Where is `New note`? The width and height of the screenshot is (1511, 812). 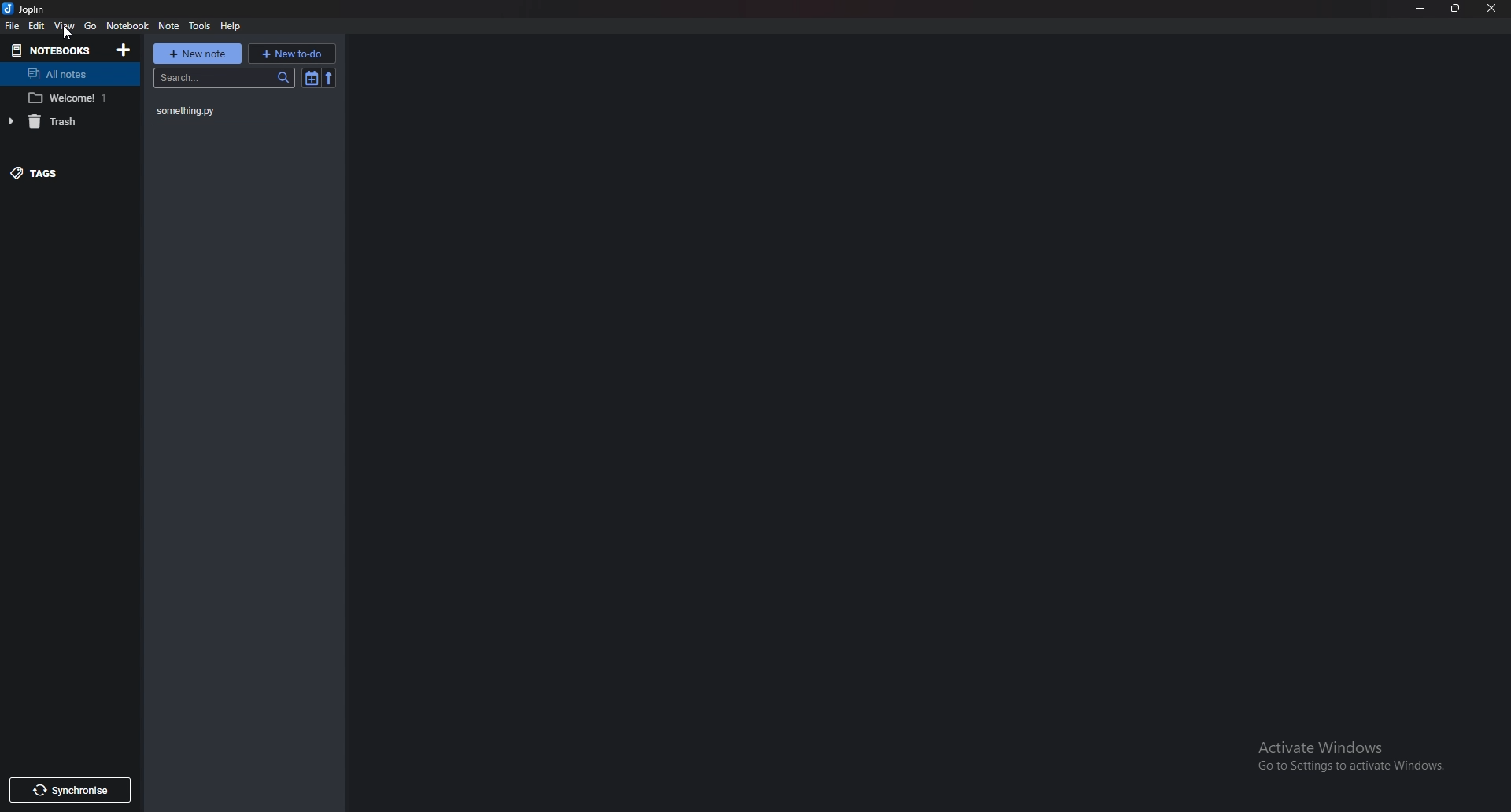 New note is located at coordinates (198, 54).